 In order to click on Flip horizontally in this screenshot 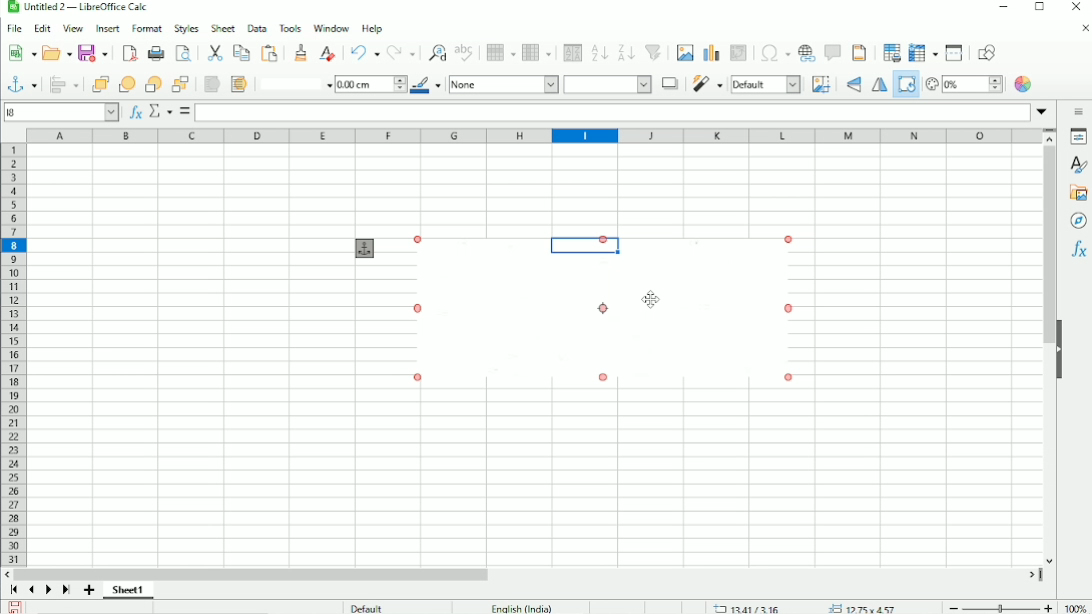, I will do `click(877, 85)`.